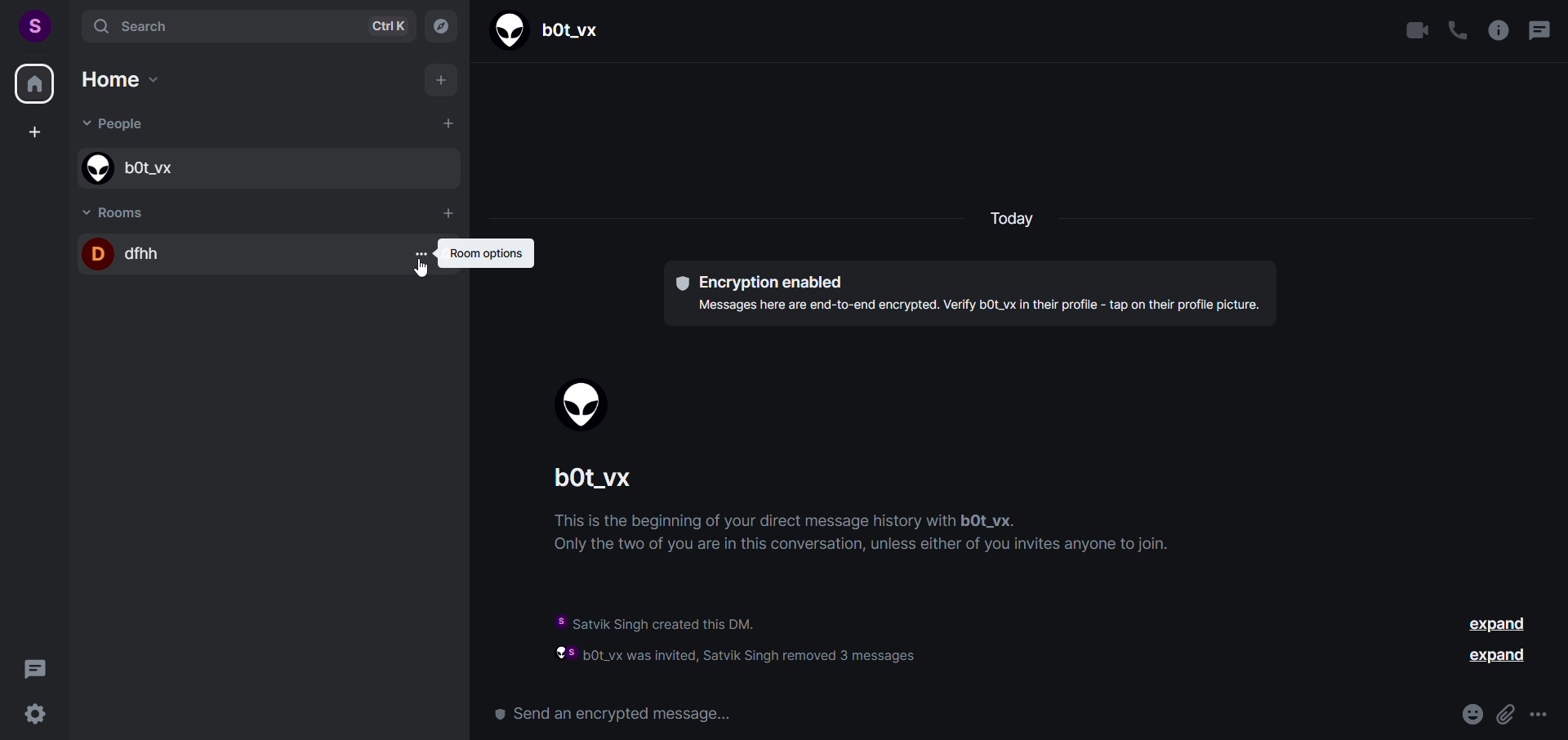  I want to click on room name, so click(237, 254).